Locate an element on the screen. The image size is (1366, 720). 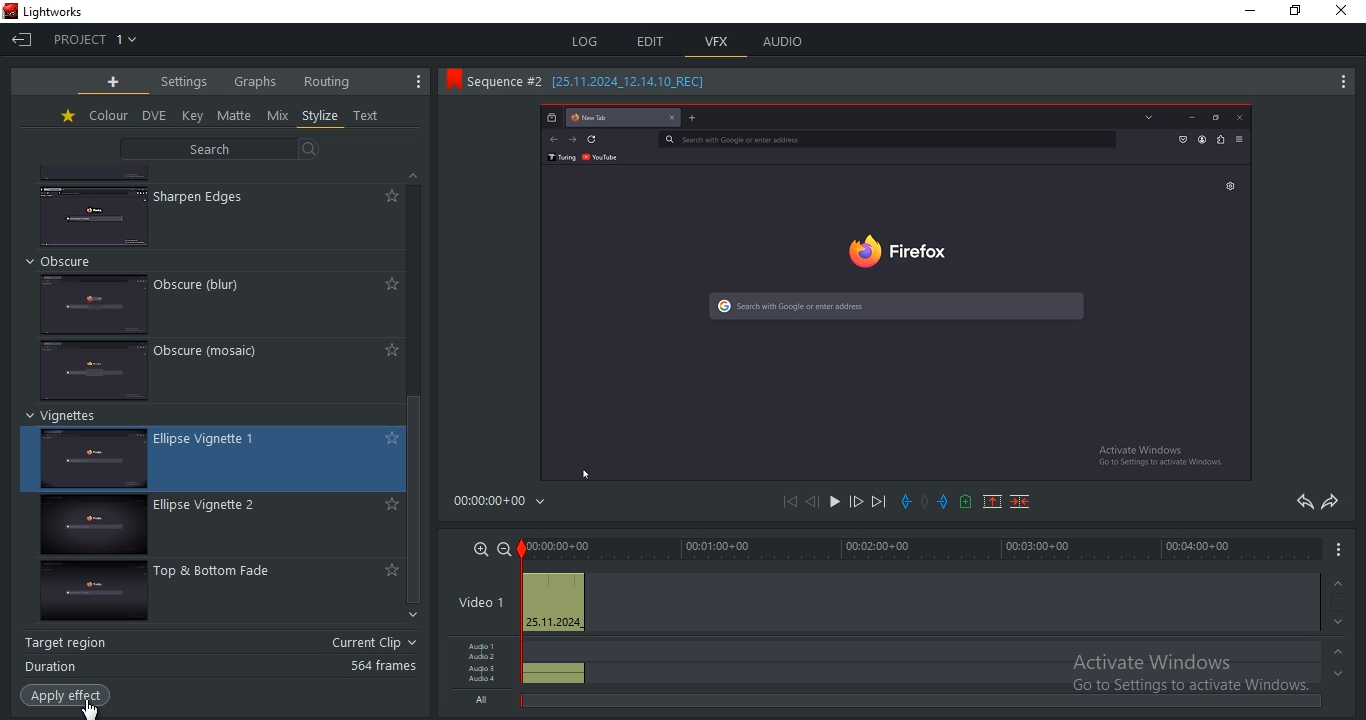
mark out is located at coordinates (943, 499).